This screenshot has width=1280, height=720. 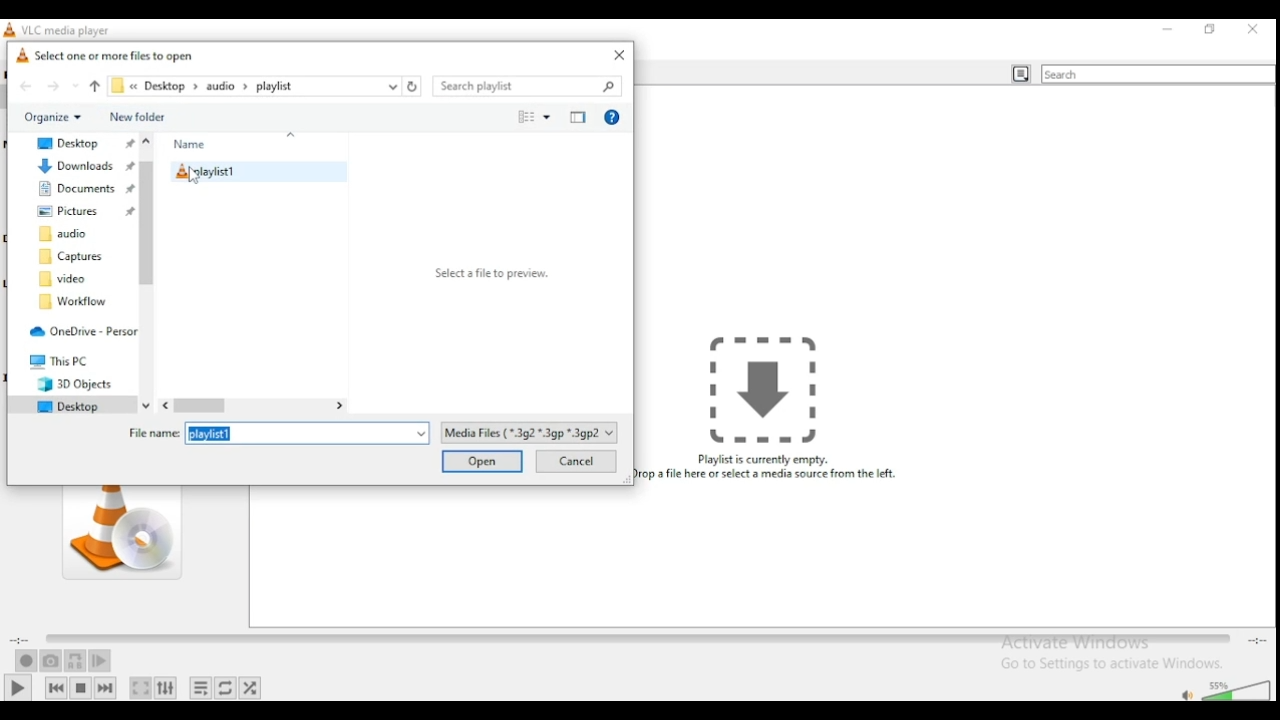 I want to click on file explorer path, so click(x=123, y=87).